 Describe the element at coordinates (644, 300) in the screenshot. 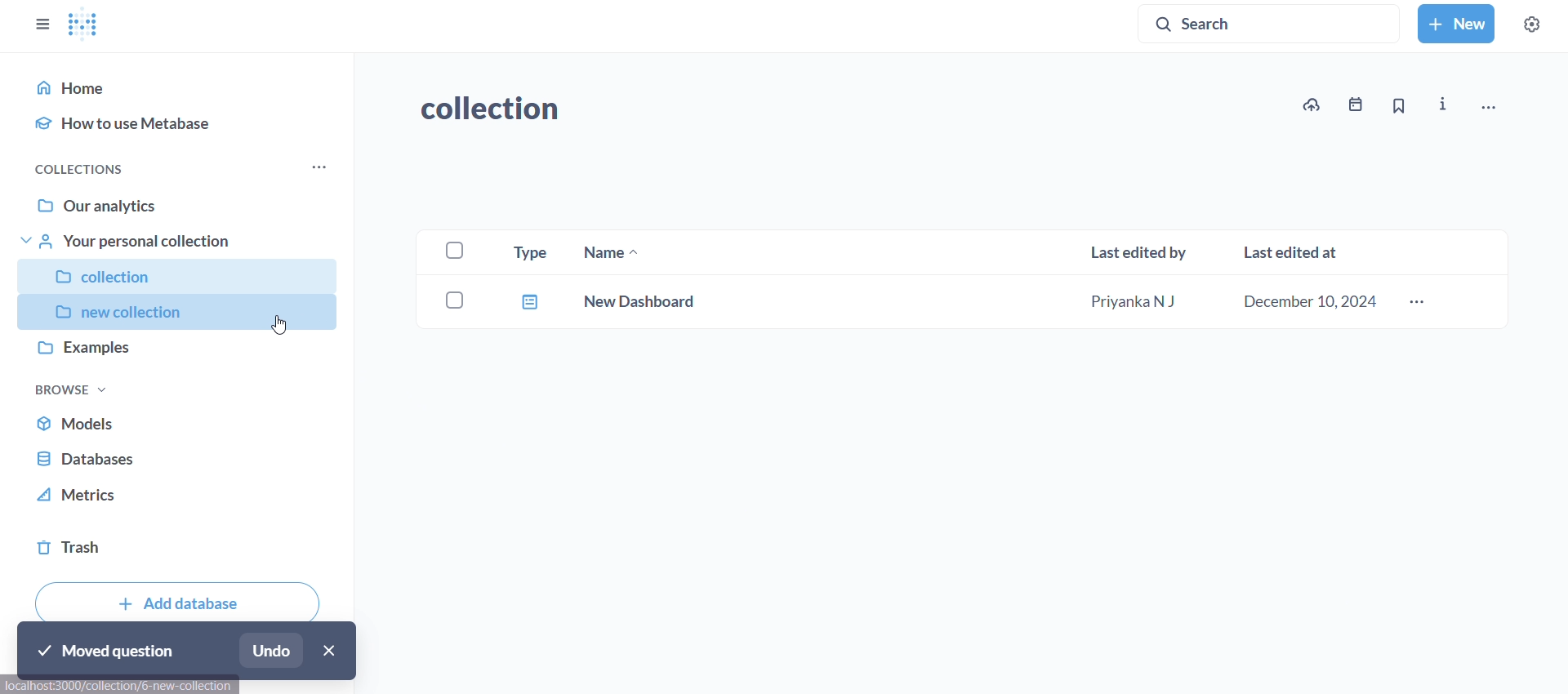

I see `newdashboard` at that location.